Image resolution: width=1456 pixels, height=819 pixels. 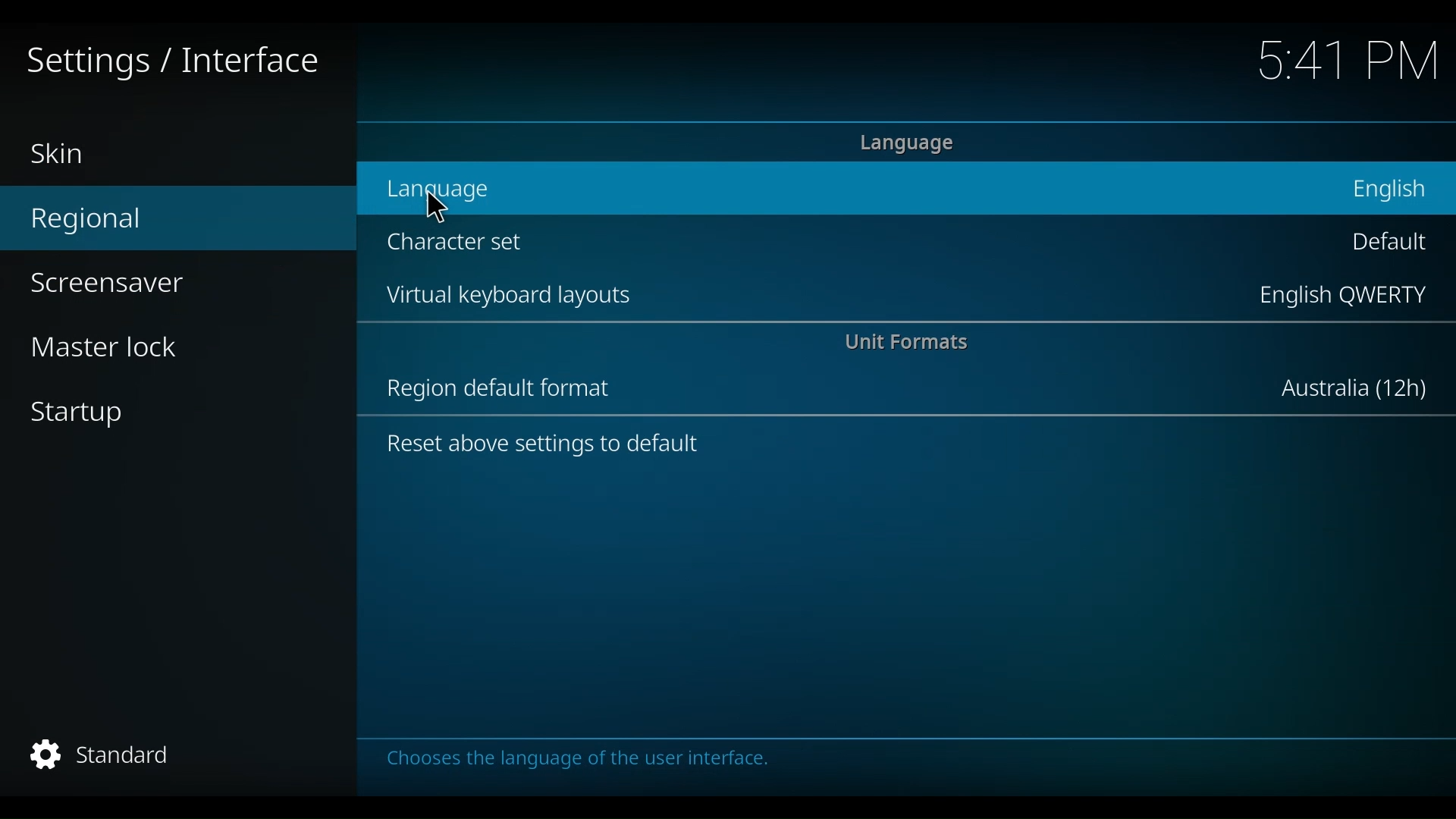 What do you see at coordinates (116, 758) in the screenshot?
I see `Standard` at bounding box center [116, 758].